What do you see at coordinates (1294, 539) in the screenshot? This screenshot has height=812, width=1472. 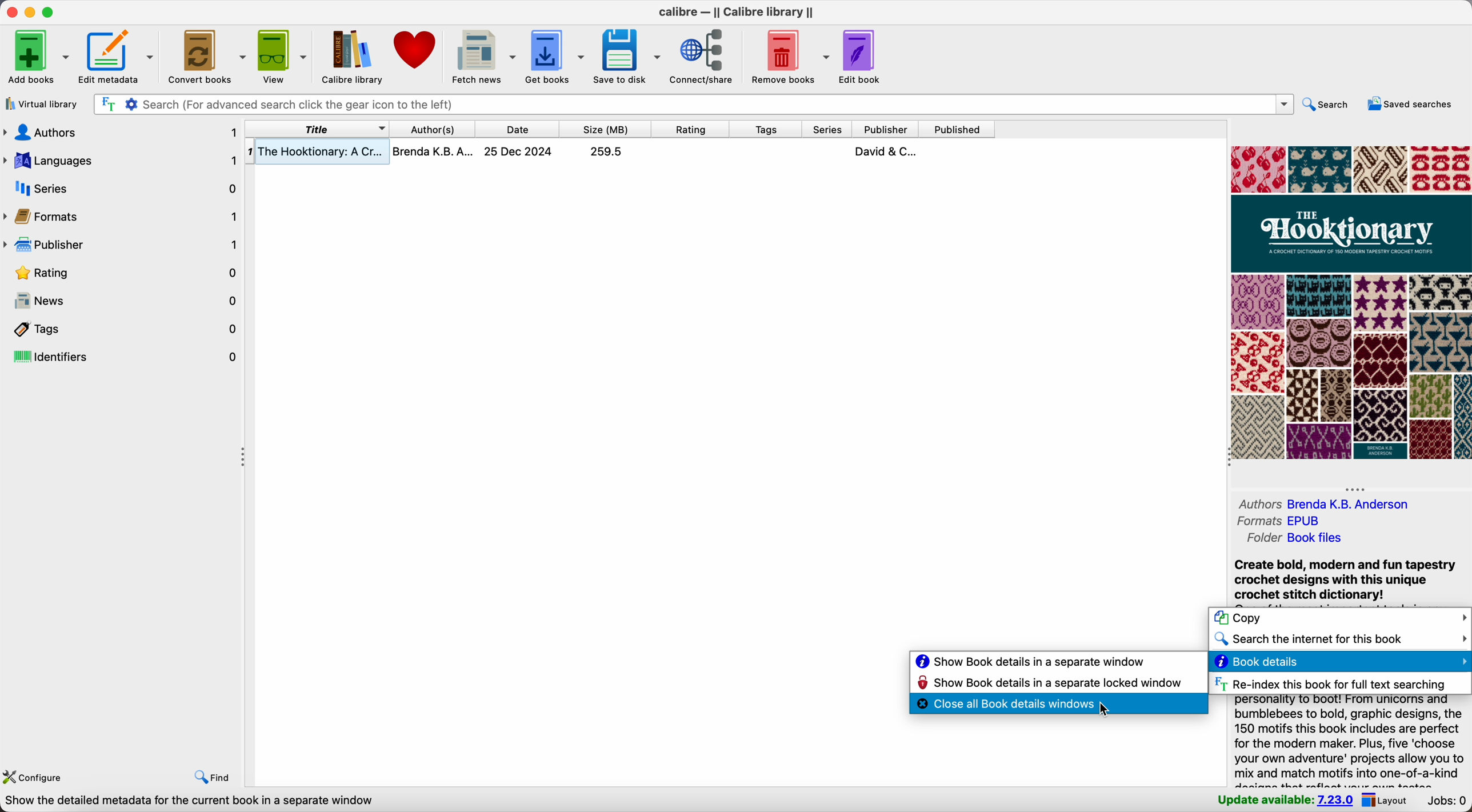 I see `folder` at bounding box center [1294, 539].